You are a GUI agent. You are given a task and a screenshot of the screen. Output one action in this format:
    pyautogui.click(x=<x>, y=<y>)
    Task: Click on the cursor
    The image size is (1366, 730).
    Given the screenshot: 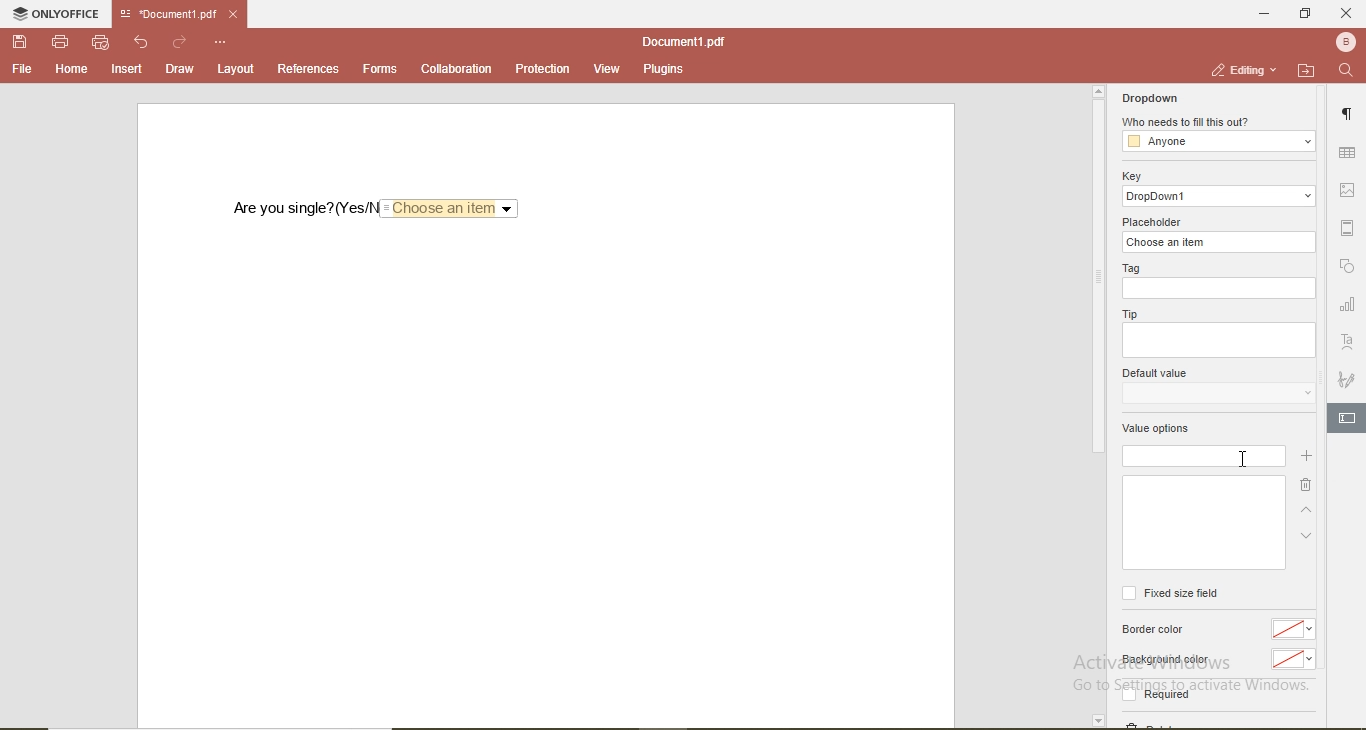 What is the action you would take?
    pyautogui.click(x=1242, y=463)
    